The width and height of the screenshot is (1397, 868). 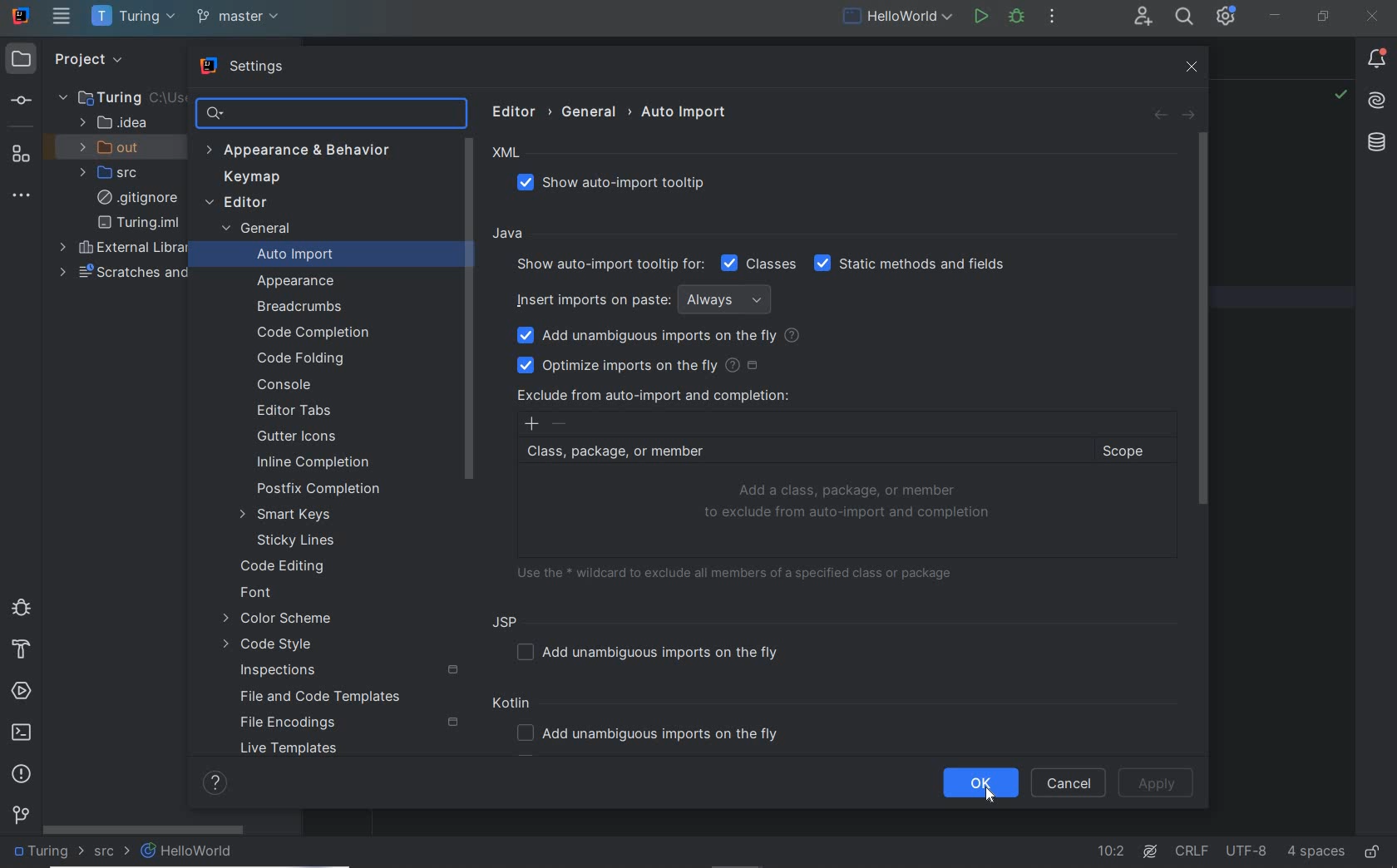 I want to click on out, so click(x=115, y=147).